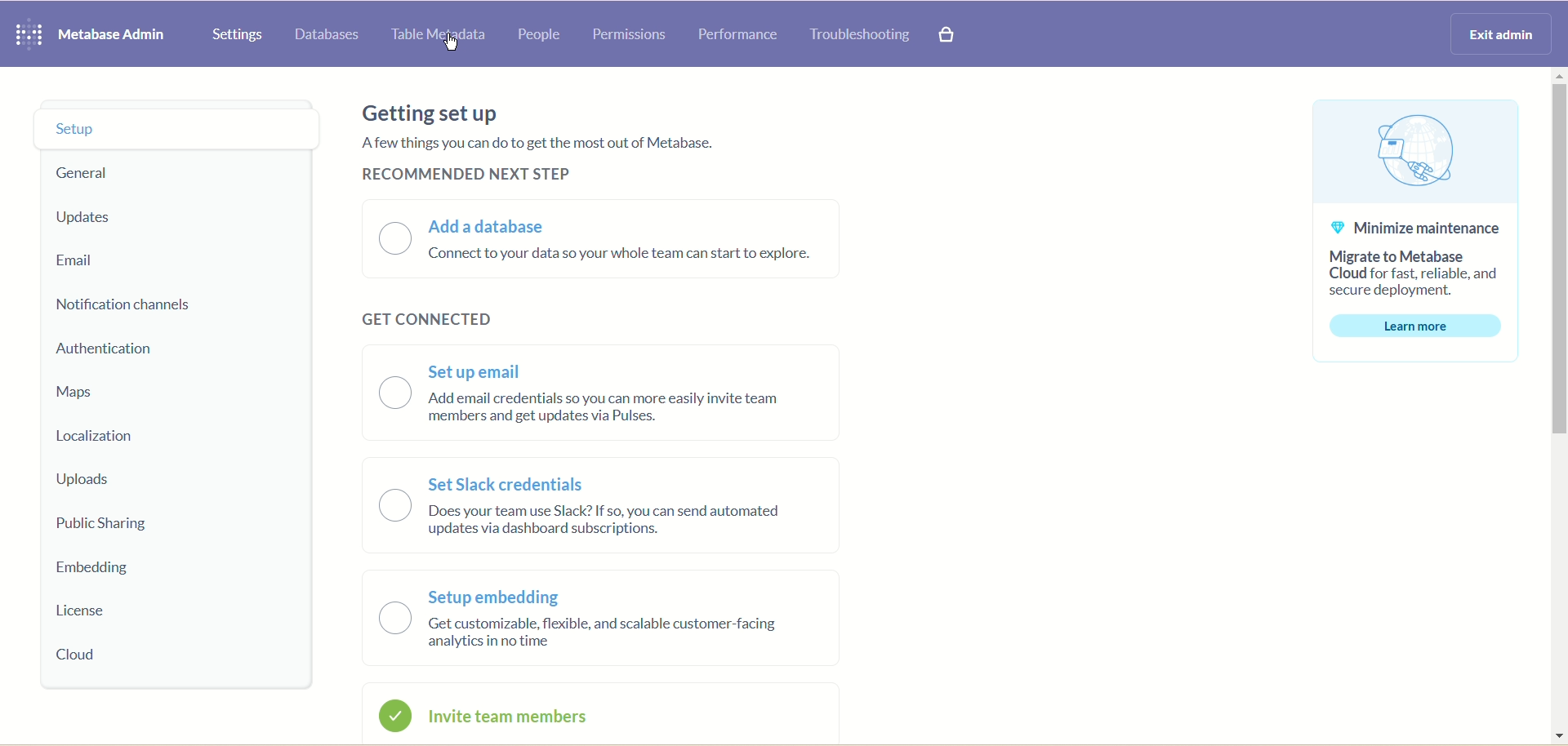  I want to click on Settings, so click(238, 34).